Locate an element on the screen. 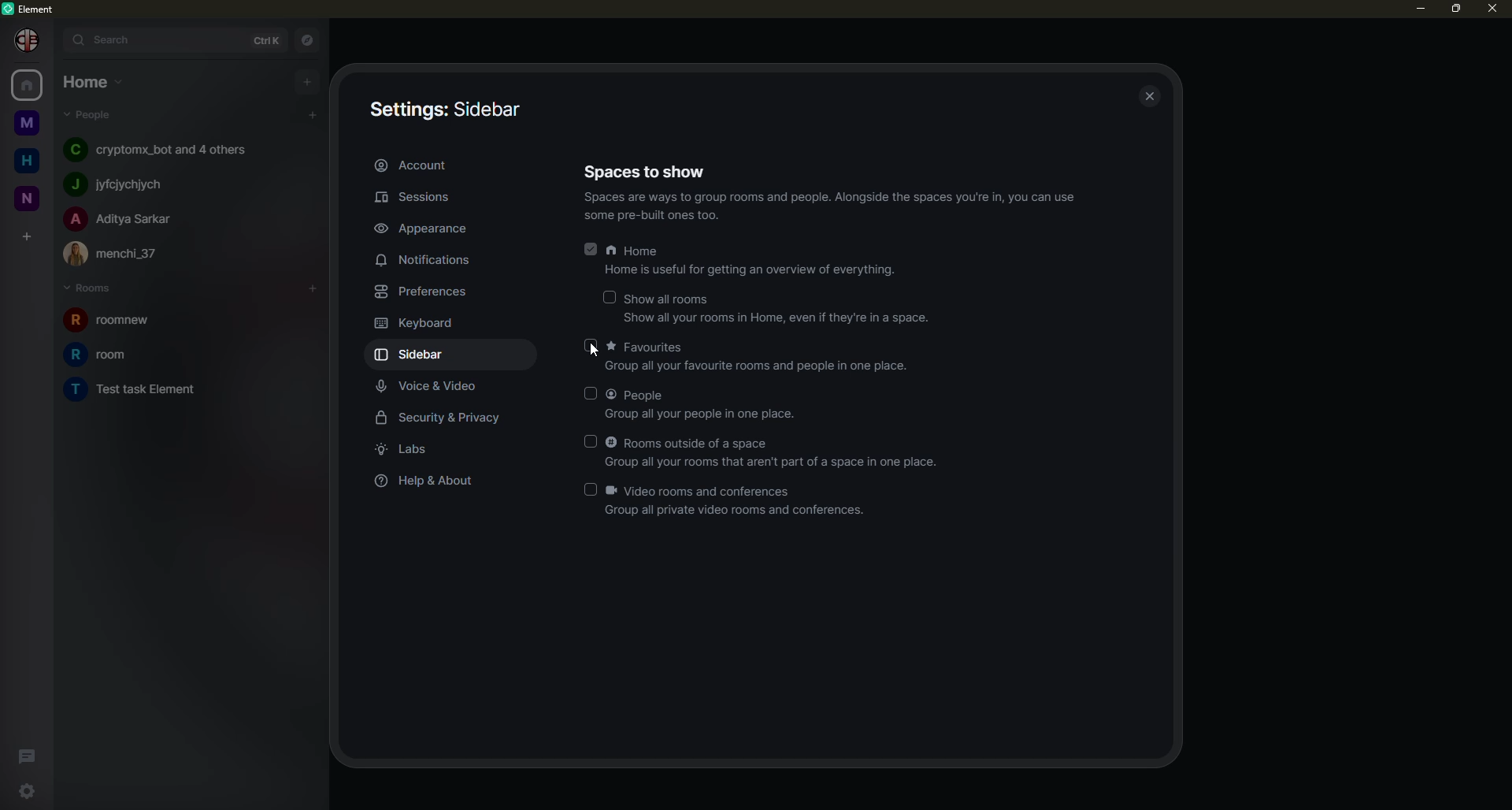  navigator is located at coordinates (310, 39).